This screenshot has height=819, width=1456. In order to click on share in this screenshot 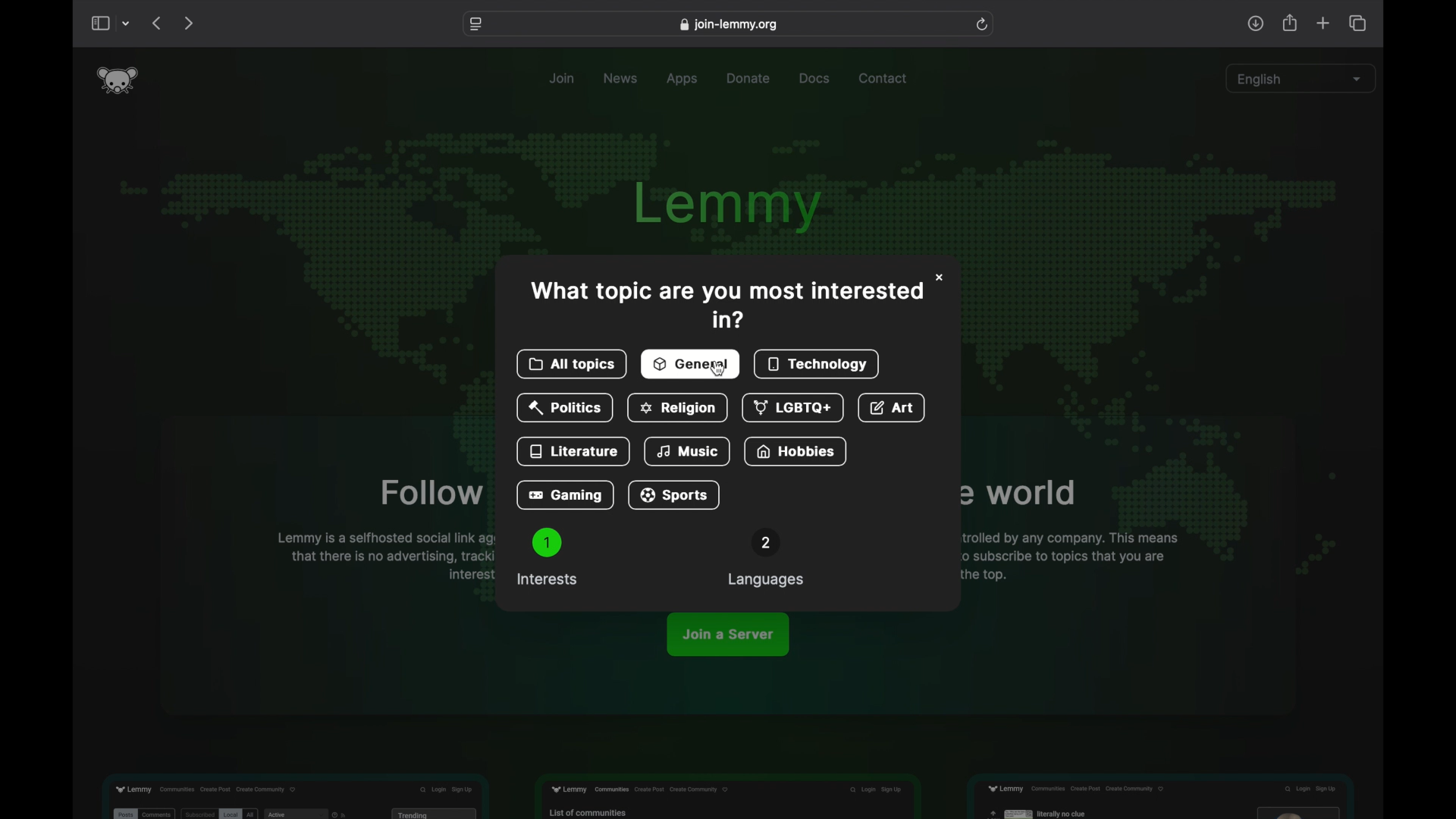, I will do `click(1291, 24)`.